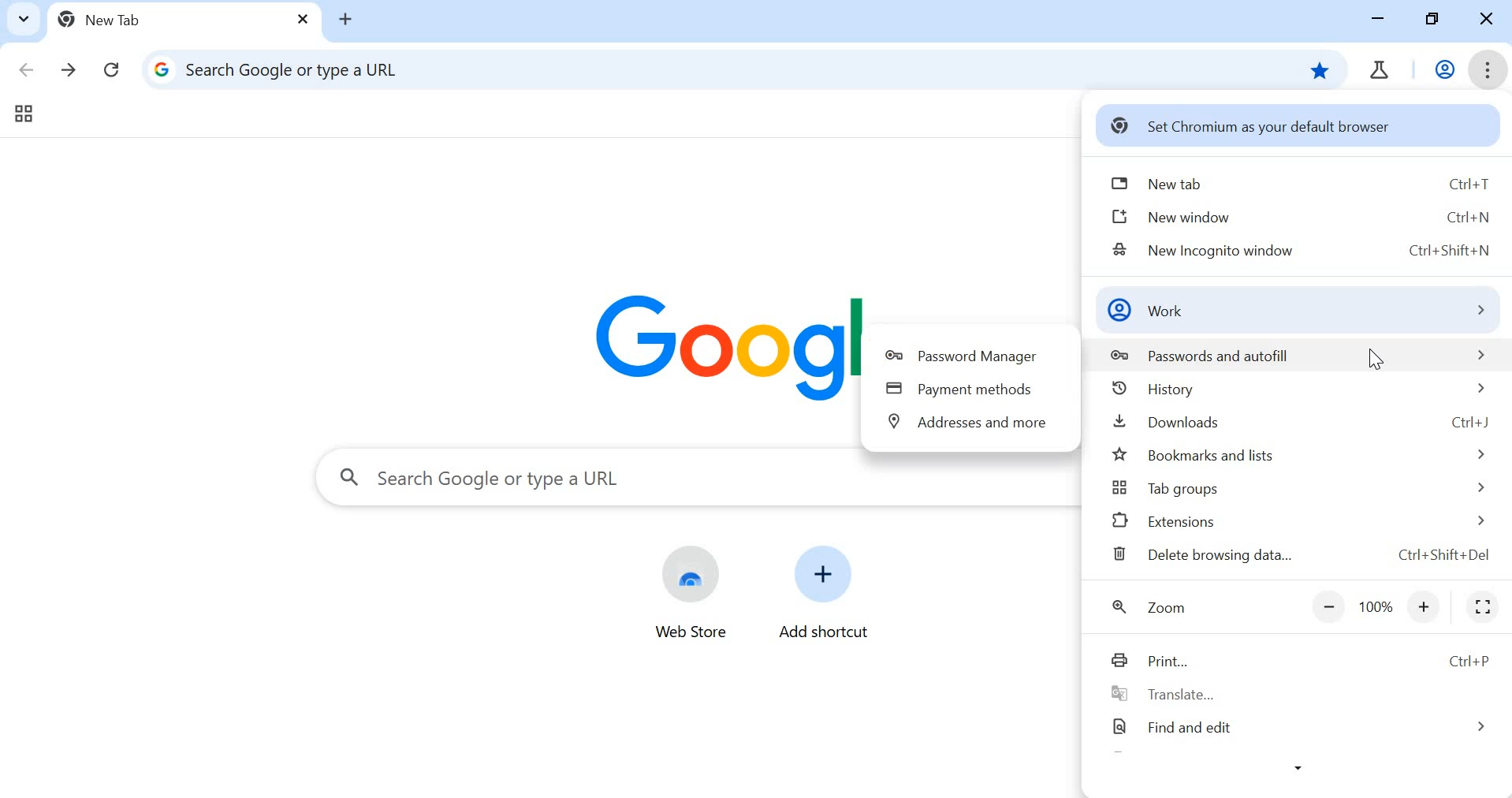  Describe the element at coordinates (1491, 69) in the screenshot. I see `customize and control chromium` at that location.